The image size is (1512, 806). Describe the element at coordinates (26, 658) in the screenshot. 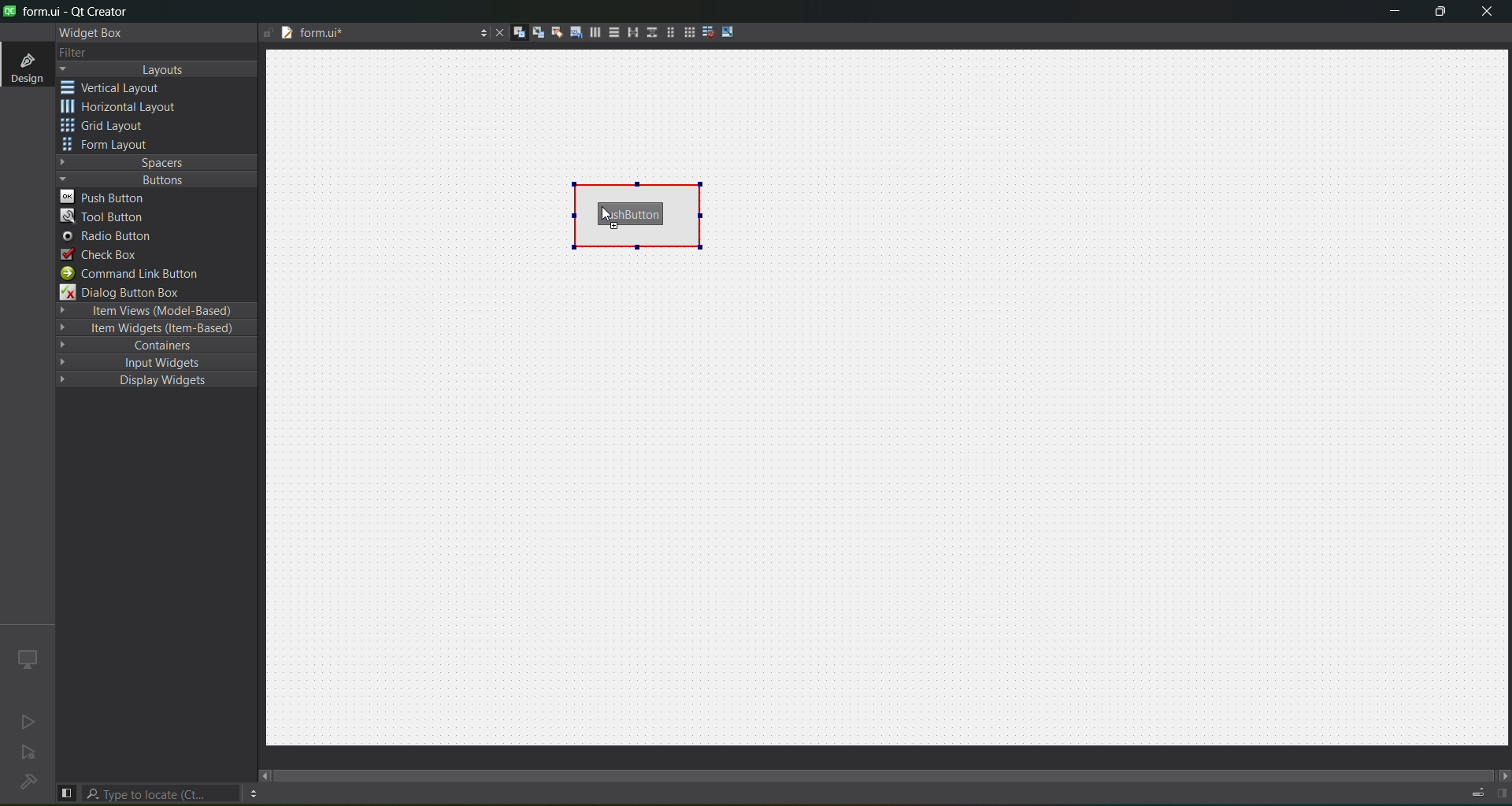

I see `icon` at that location.